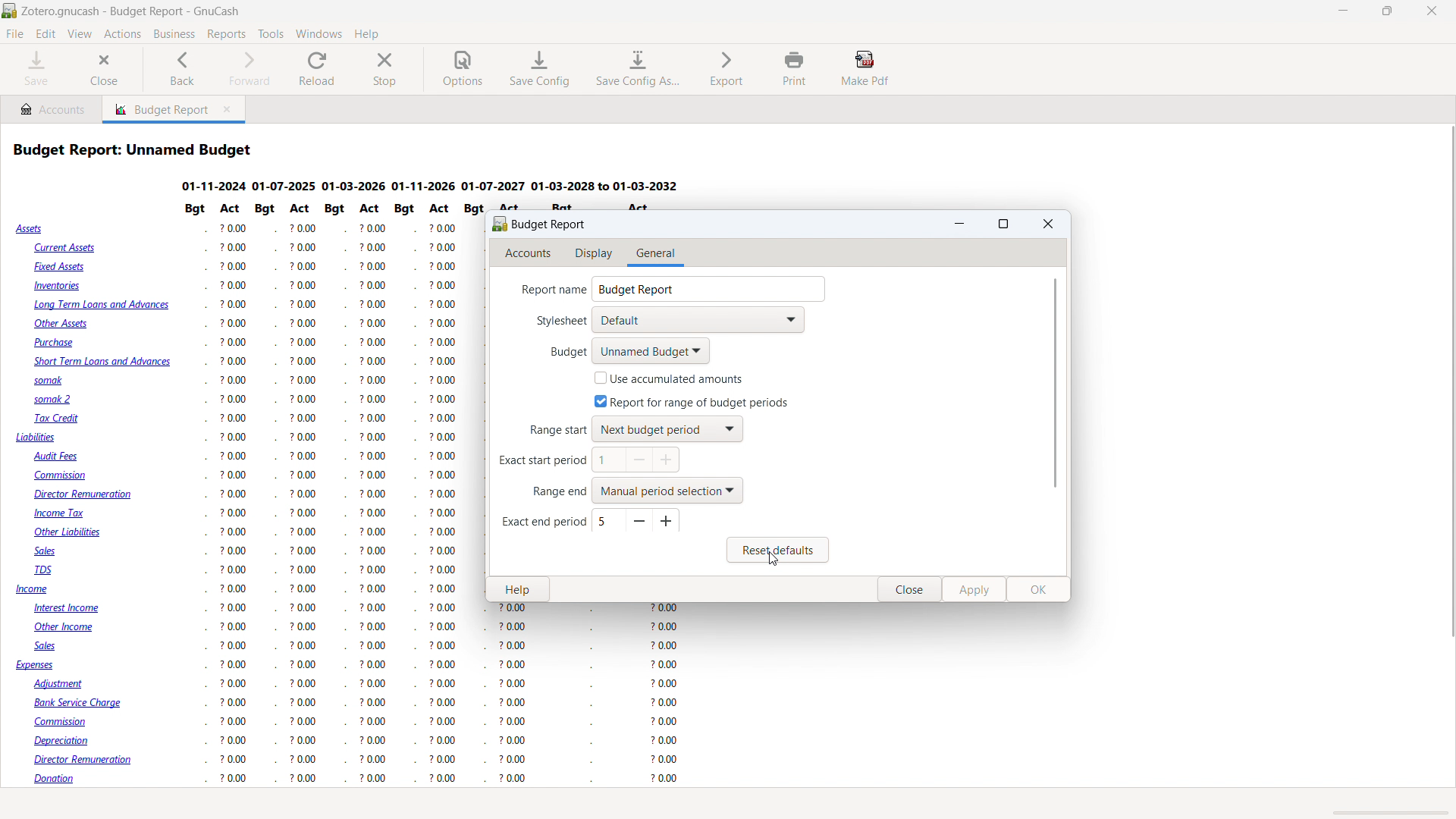 The width and height of the screenshot is (1456, 819). I want to click on hort Term Loans and Advances, so click(100, 362).